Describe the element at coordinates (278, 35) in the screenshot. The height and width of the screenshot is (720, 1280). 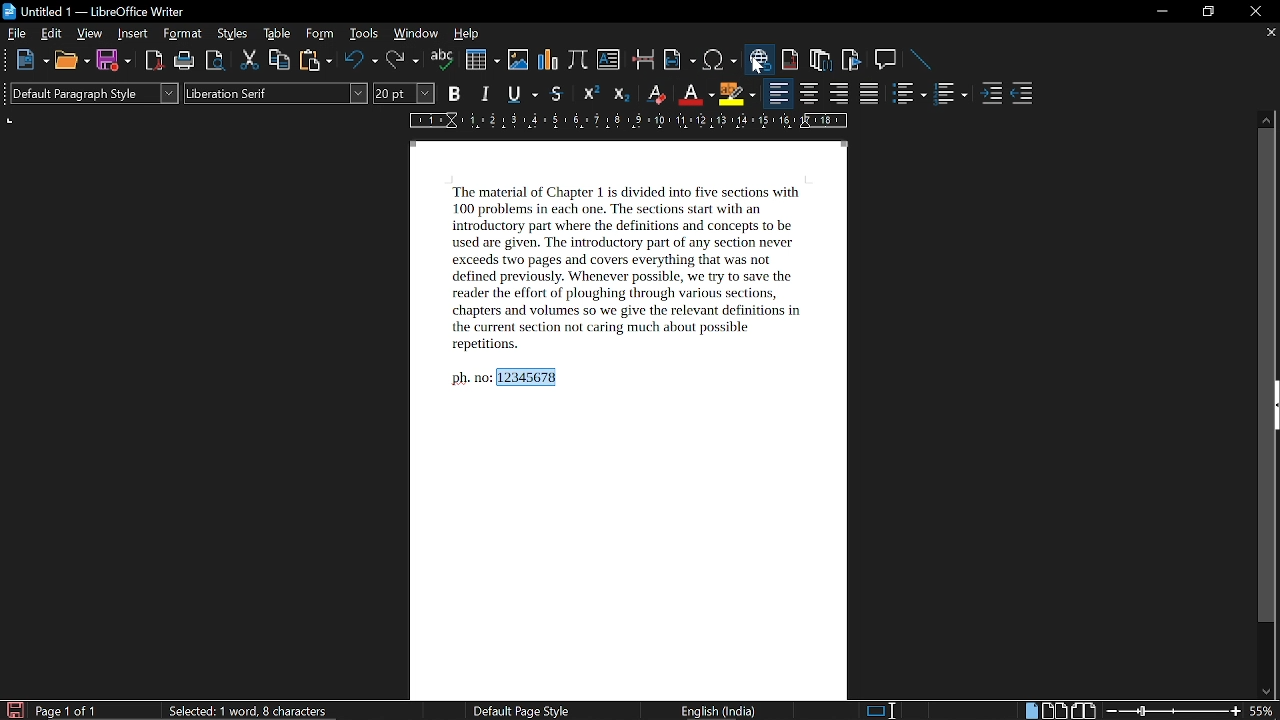
I see `table` at that location.